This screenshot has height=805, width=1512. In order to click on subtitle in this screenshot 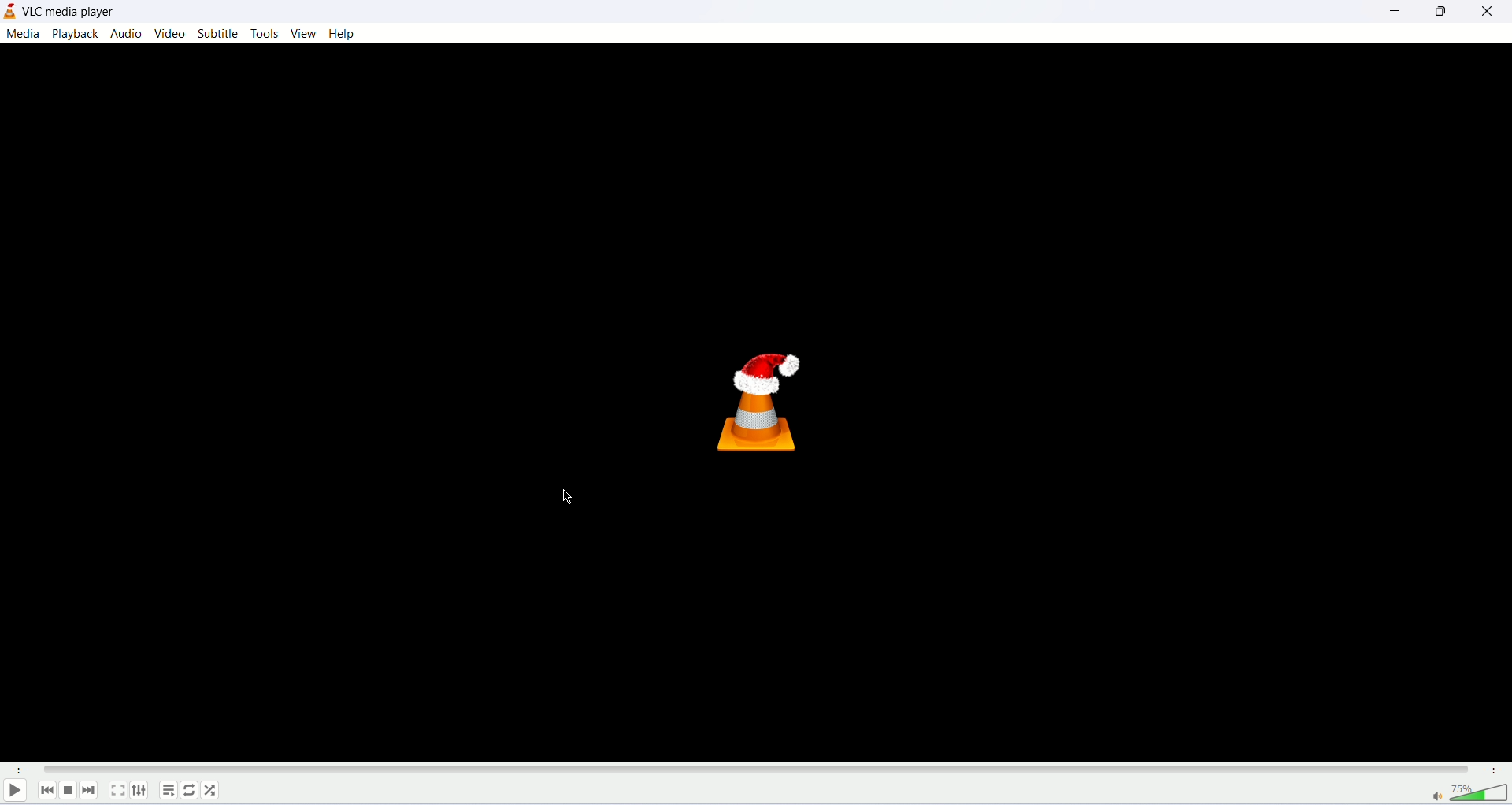, I will do `click(217, 34)`.